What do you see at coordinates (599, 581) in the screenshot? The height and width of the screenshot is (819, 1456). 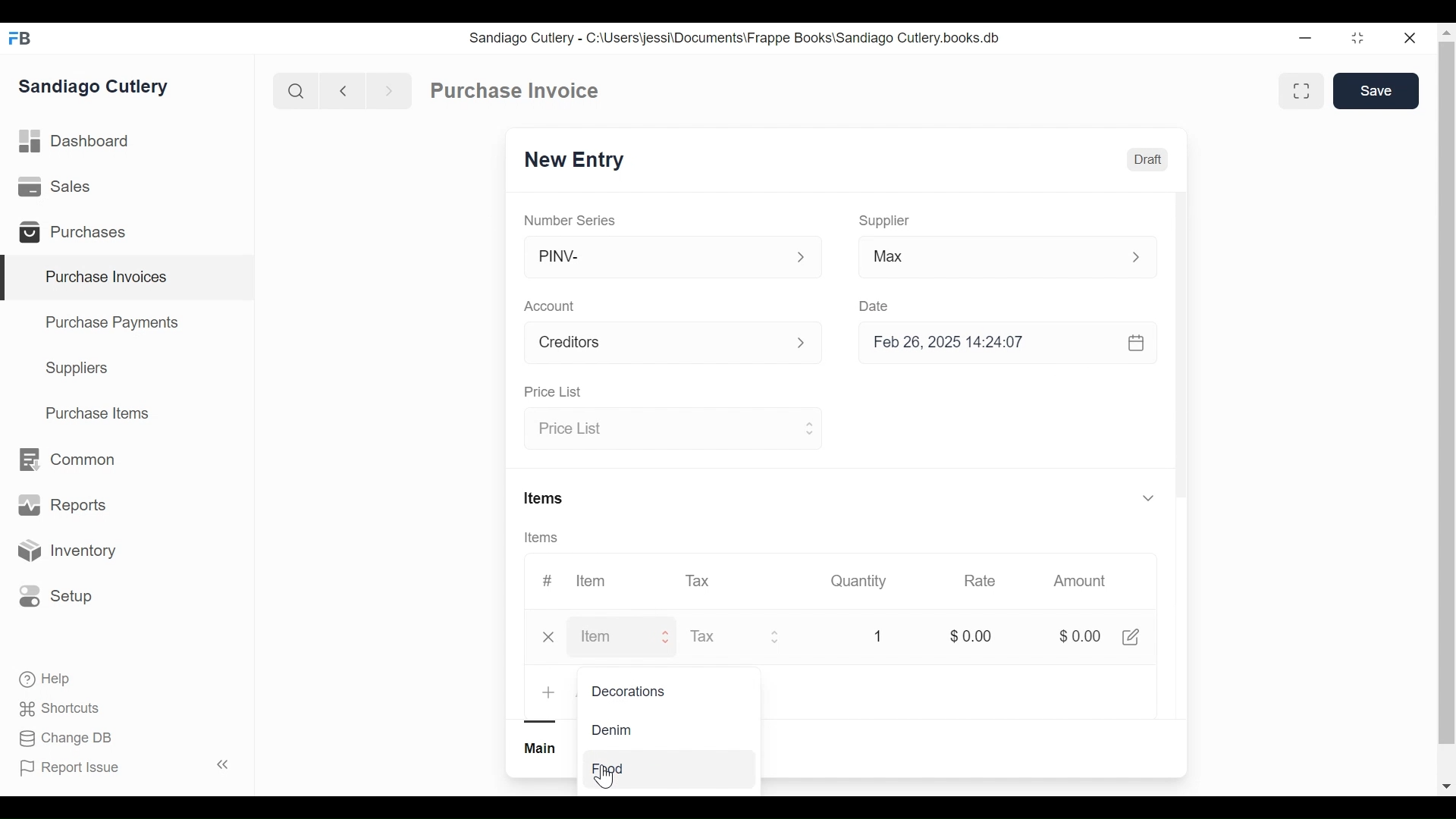 I see `Item` at bounding box center [599, 581].